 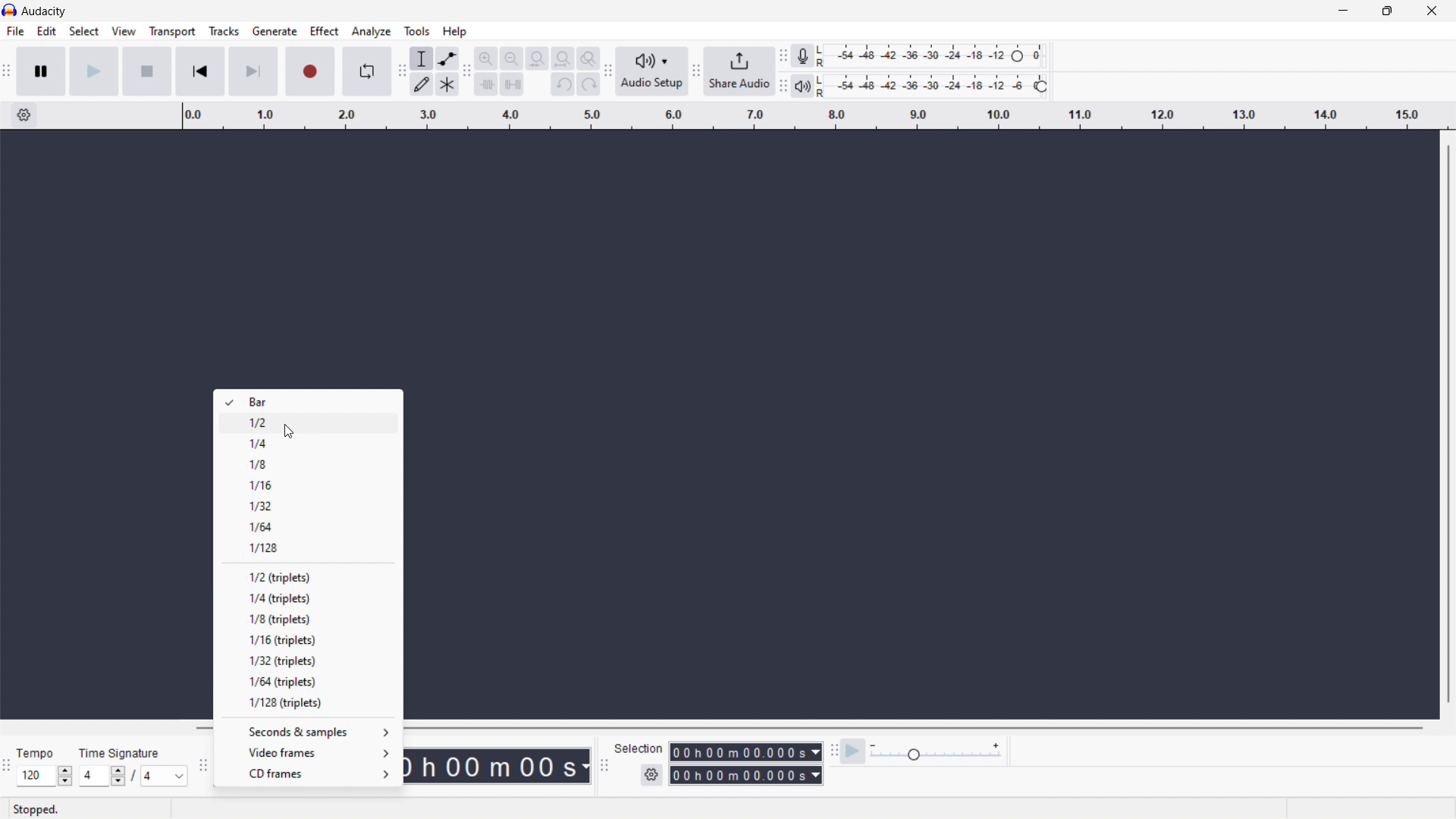 What do you see at coordinates (308, 463) in the screenshot?
I see `1/8` at bounding box center [308, 463].